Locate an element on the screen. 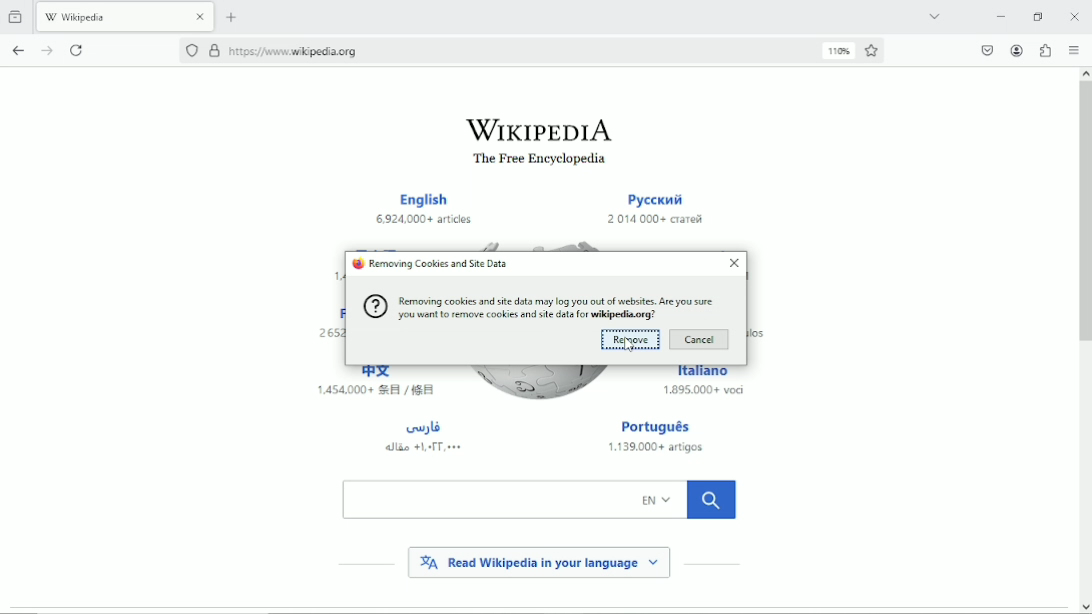 This screenshot has width=1092, height=614. Pycexmit2014 000+ articles is located at coordinates (655, 210).